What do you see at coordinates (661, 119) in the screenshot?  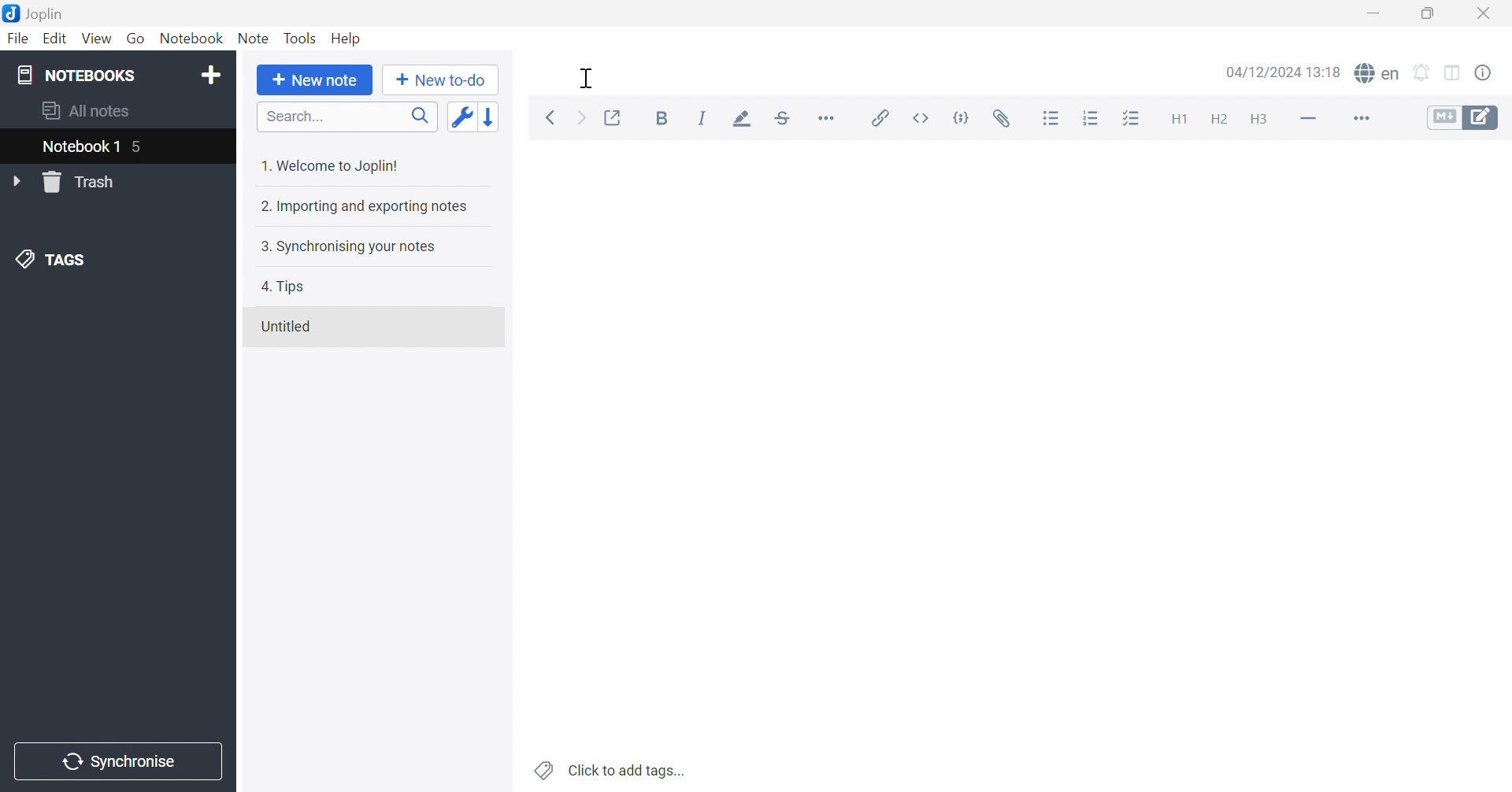 I see `Bold` at bounding box center [661, 119].